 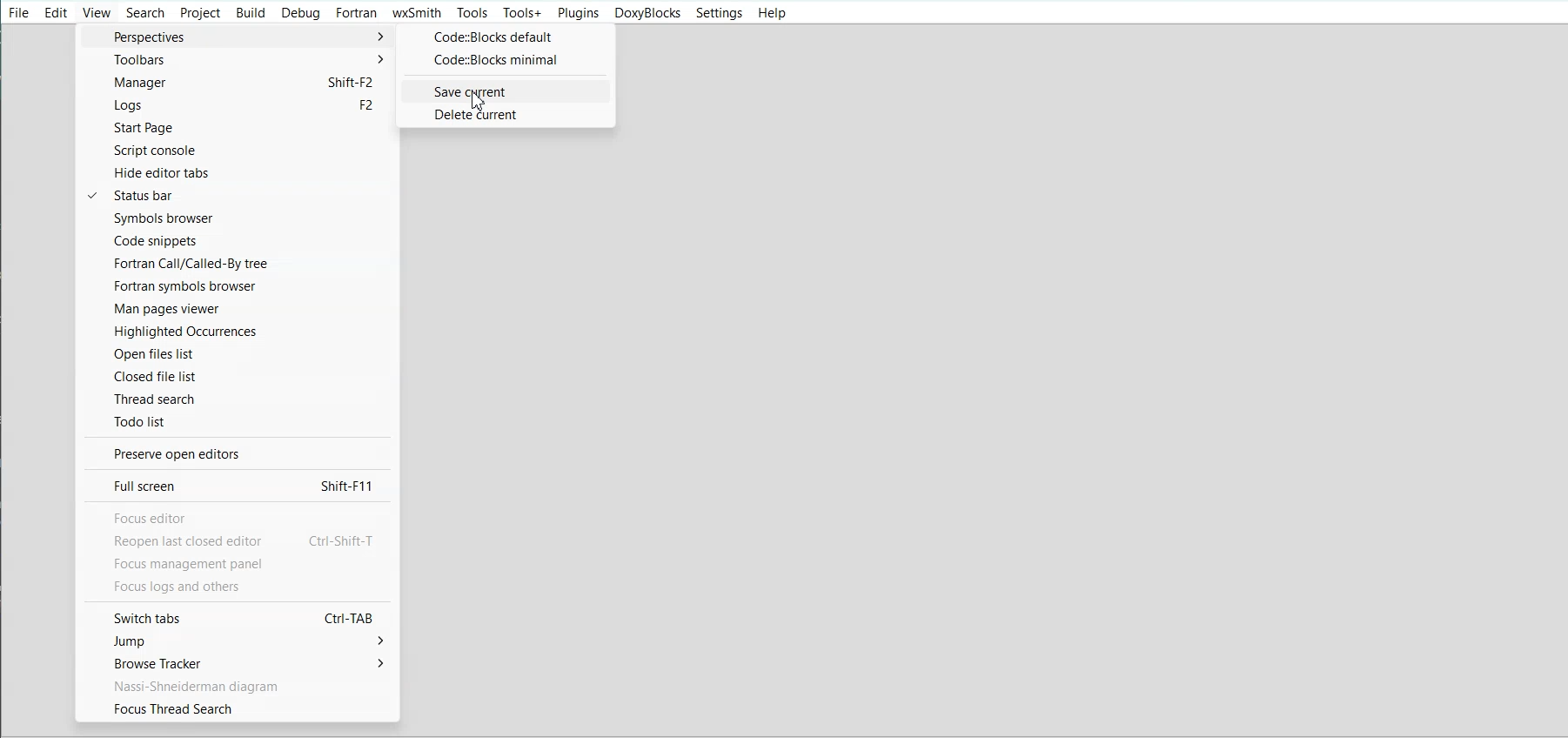 I want to click on Doxyblocks, so click(x=647, y=13).